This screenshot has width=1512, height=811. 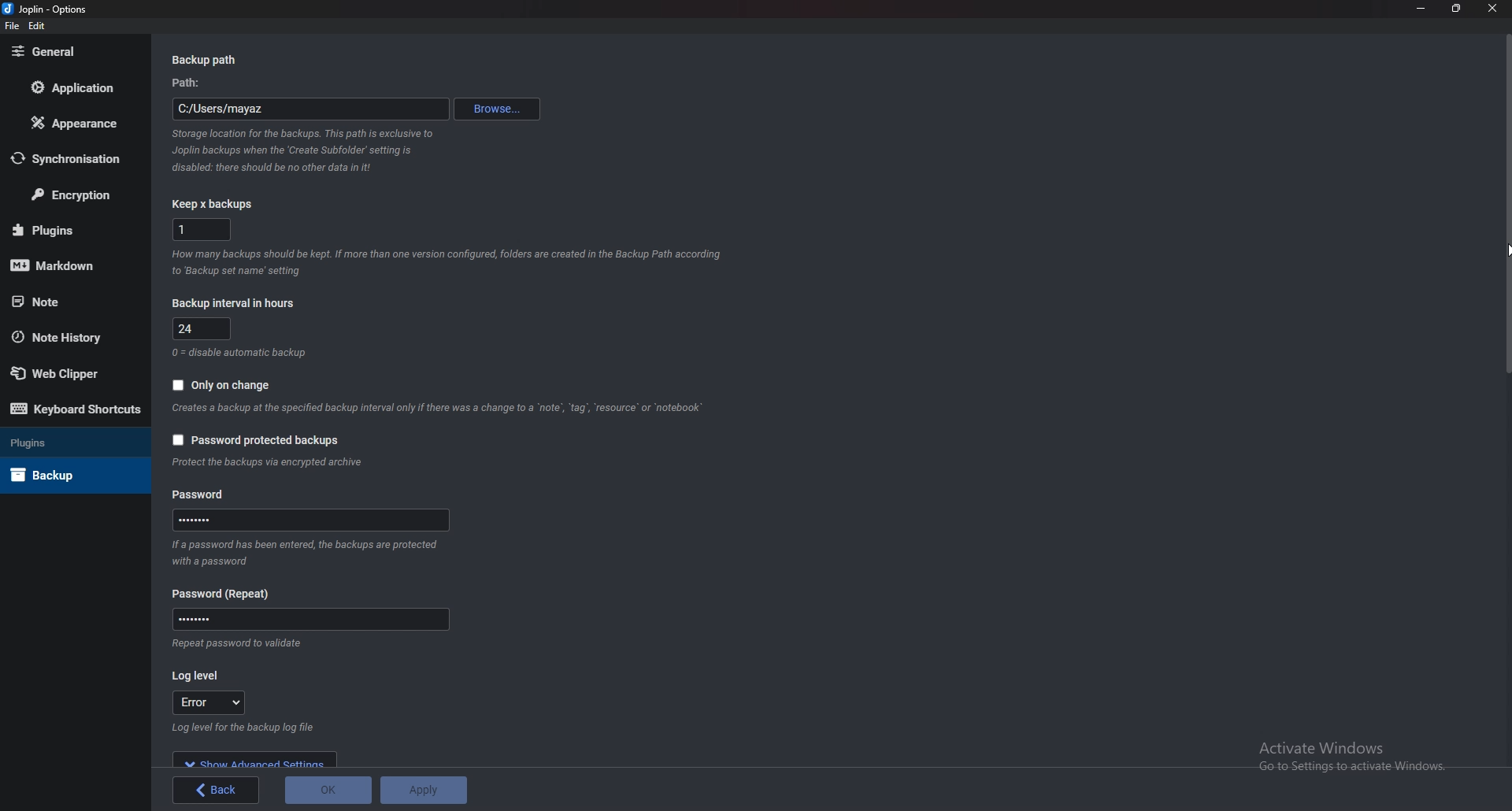 What do you see at coordinates (328, 791) in the screenshot?
I see `O K` at bounding box center [328, 791].